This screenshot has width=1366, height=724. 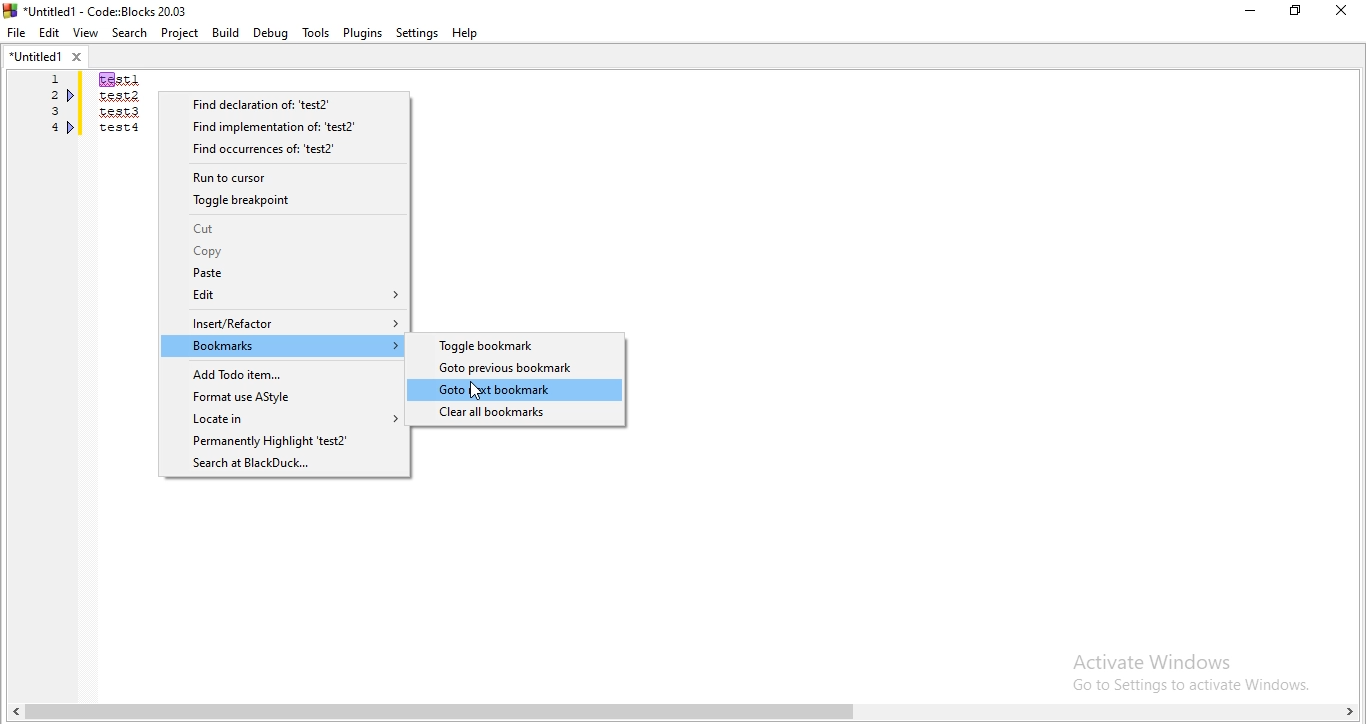 I want to click on Paste, so click(x=283, y=275).